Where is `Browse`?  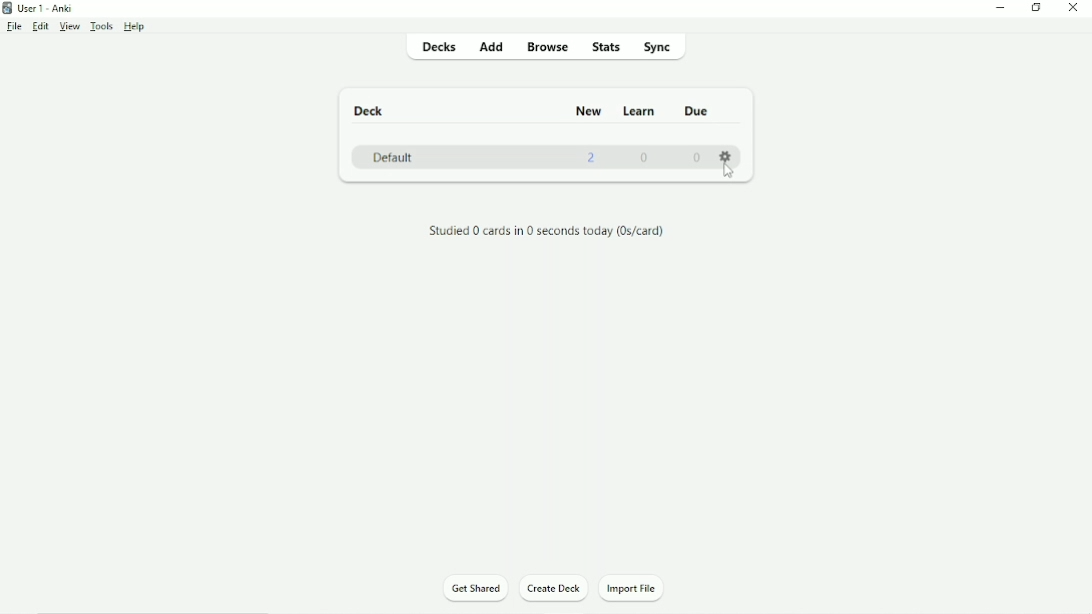
Browse is located at coordinates (544, 46).